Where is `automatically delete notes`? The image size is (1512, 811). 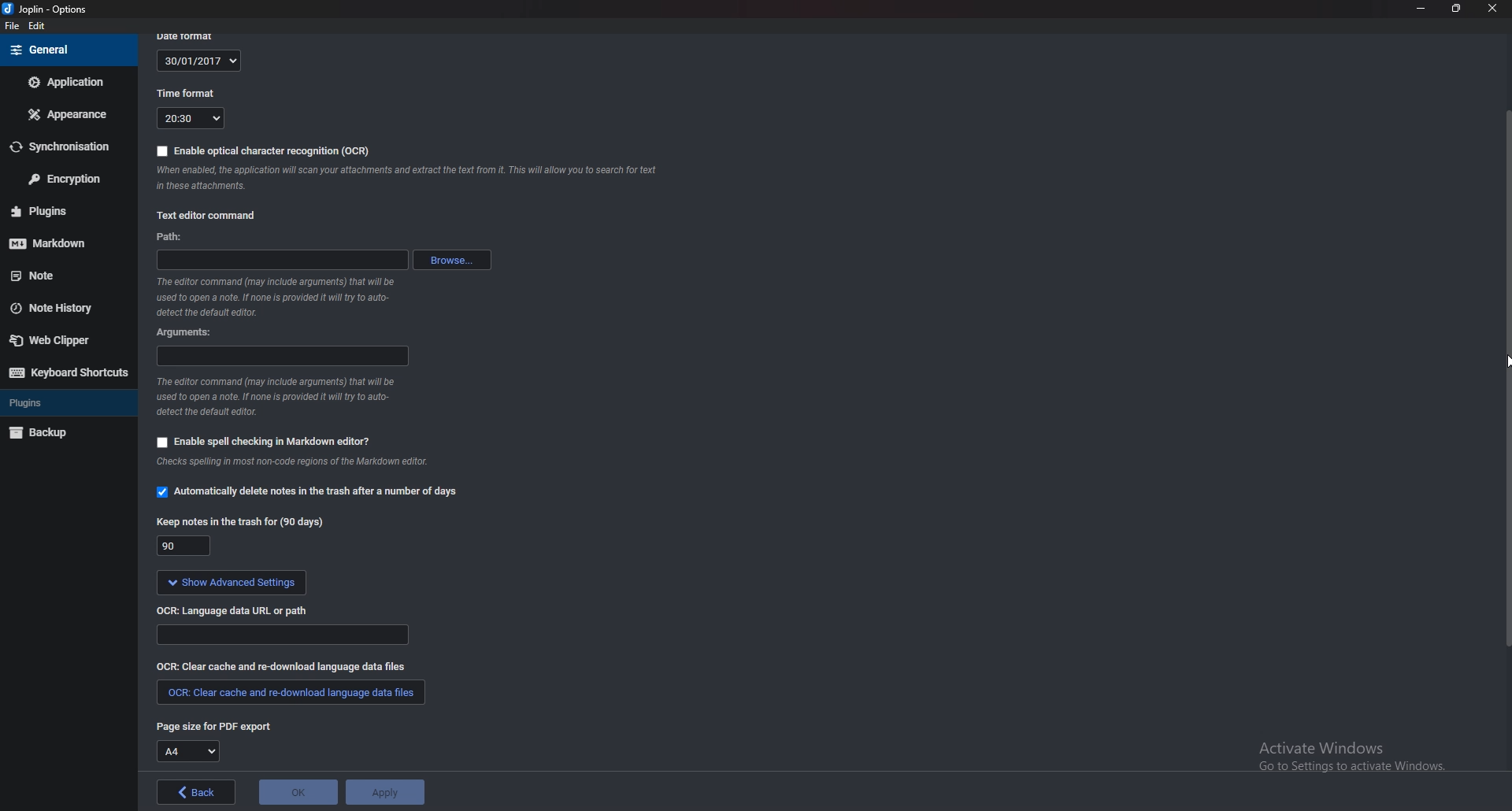 automatically delete notes is located at coordinates (315, 494).